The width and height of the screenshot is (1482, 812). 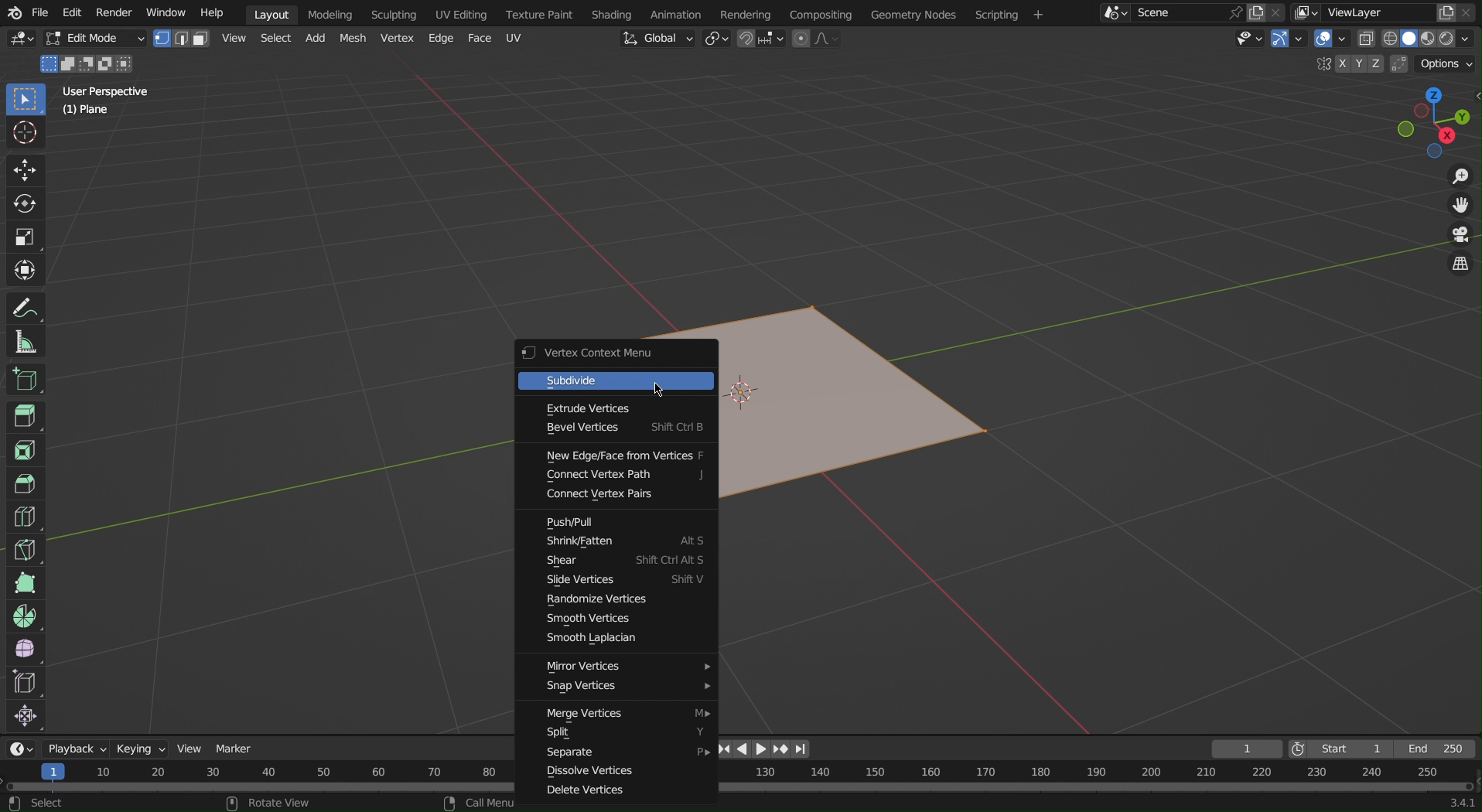 I want to click on Bevel Vertices, so click(x=619, y=428).